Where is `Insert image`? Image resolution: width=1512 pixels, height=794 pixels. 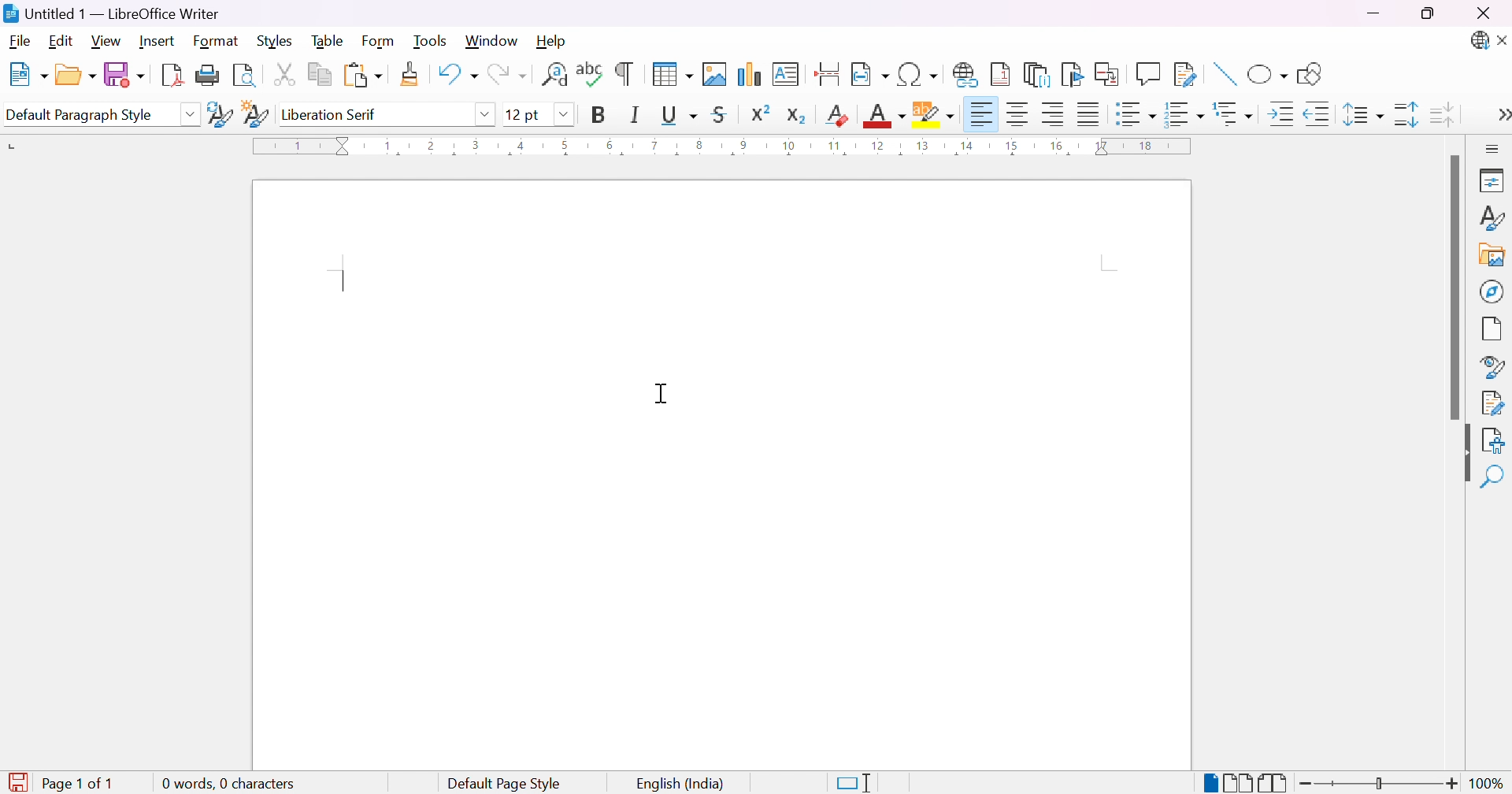 Insert image is located at coordinates (1493, 257).